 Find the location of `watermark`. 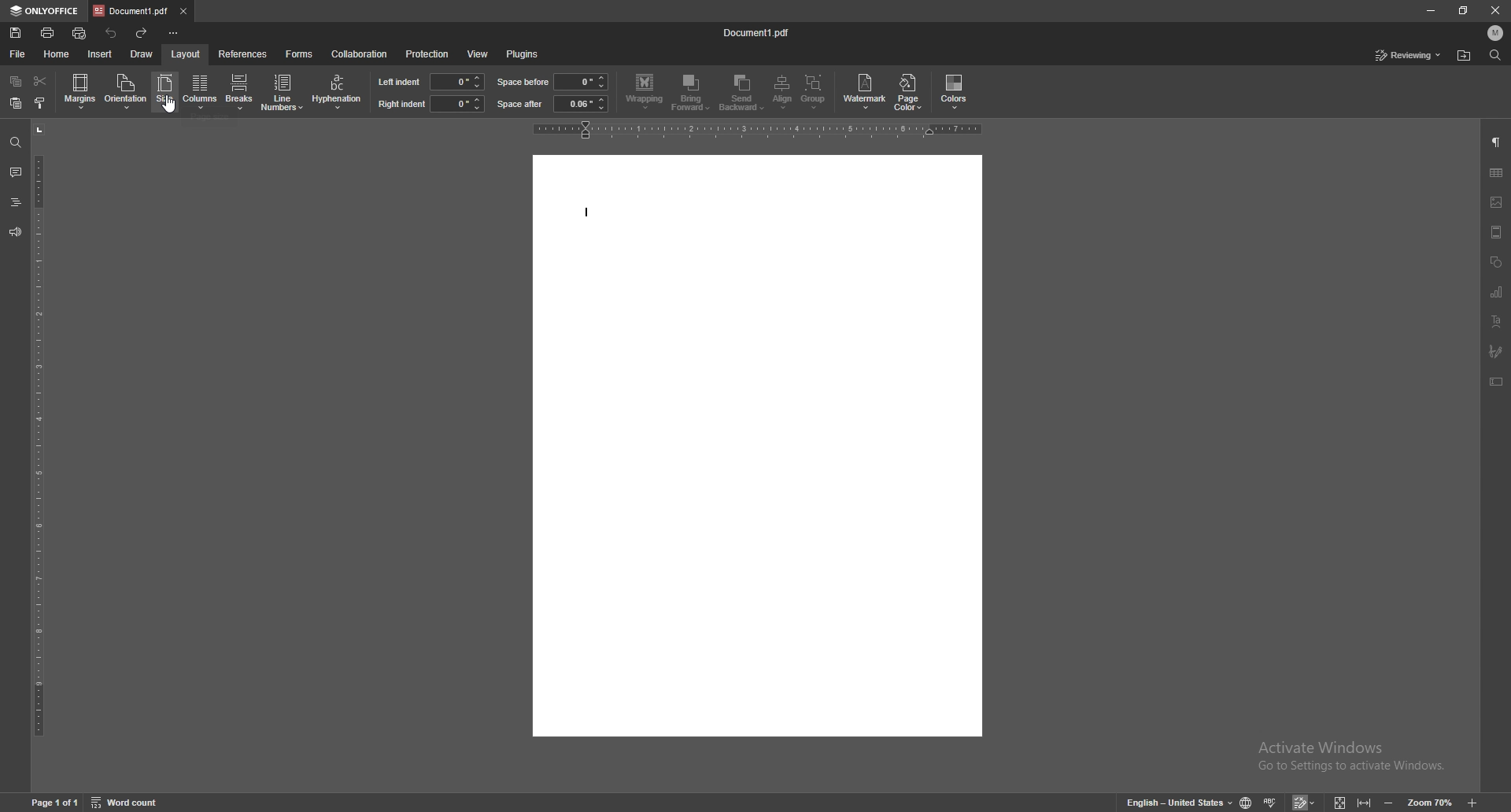

watermark is located at coordinates (866, 90).